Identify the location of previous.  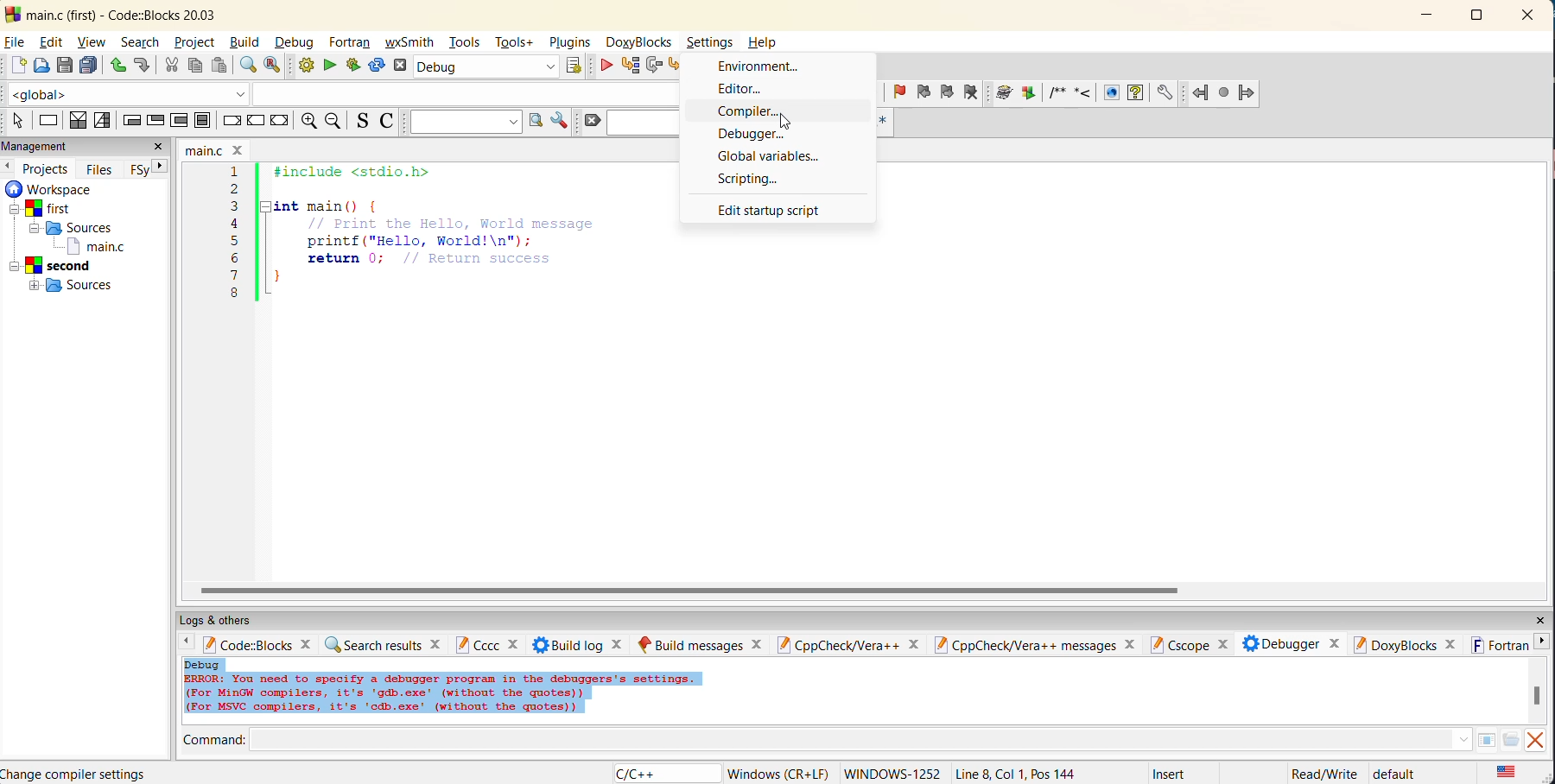
(10, 167).